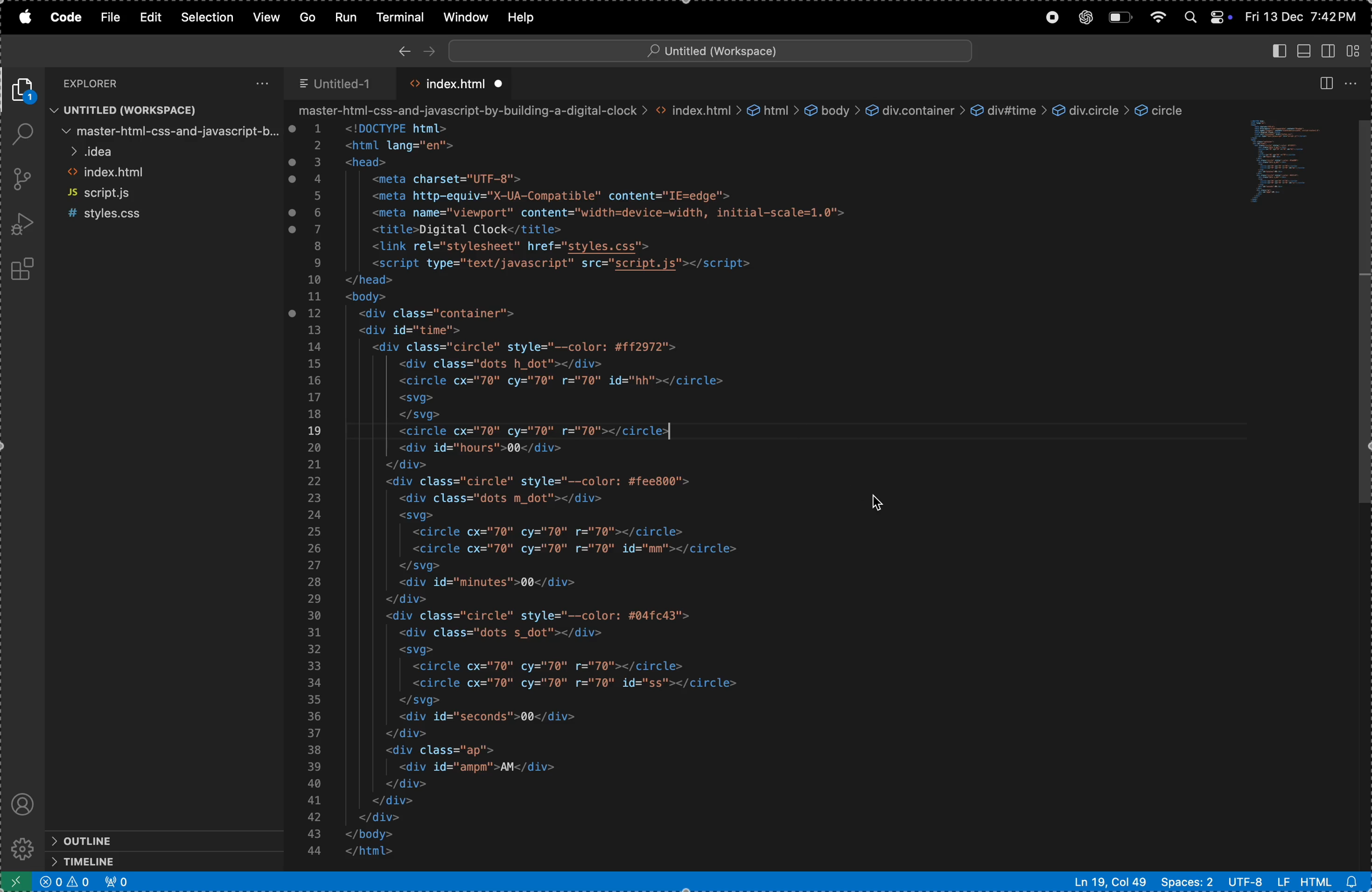  What do you see at coordinates (345, 16) in the screenshot?
I see `run ` at bounding box center [345, 16].